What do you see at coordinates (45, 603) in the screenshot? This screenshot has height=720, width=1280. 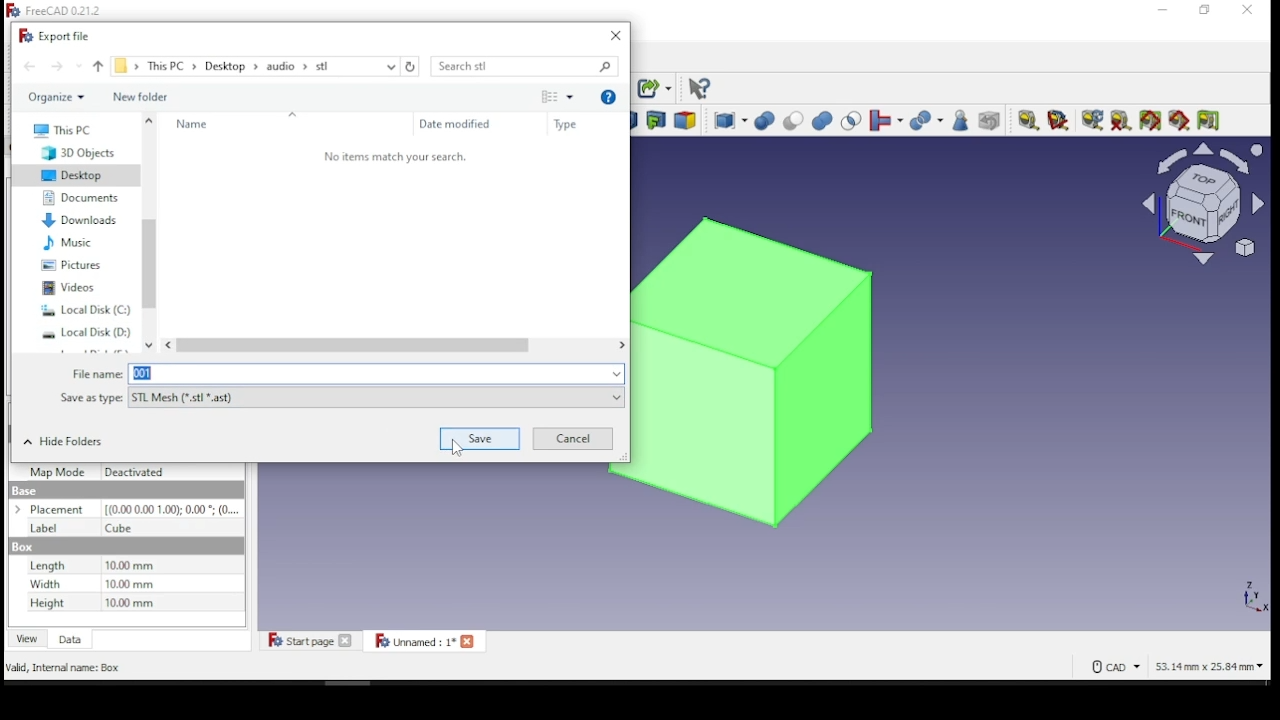 I see `Height` at bounding box center [45, 603].